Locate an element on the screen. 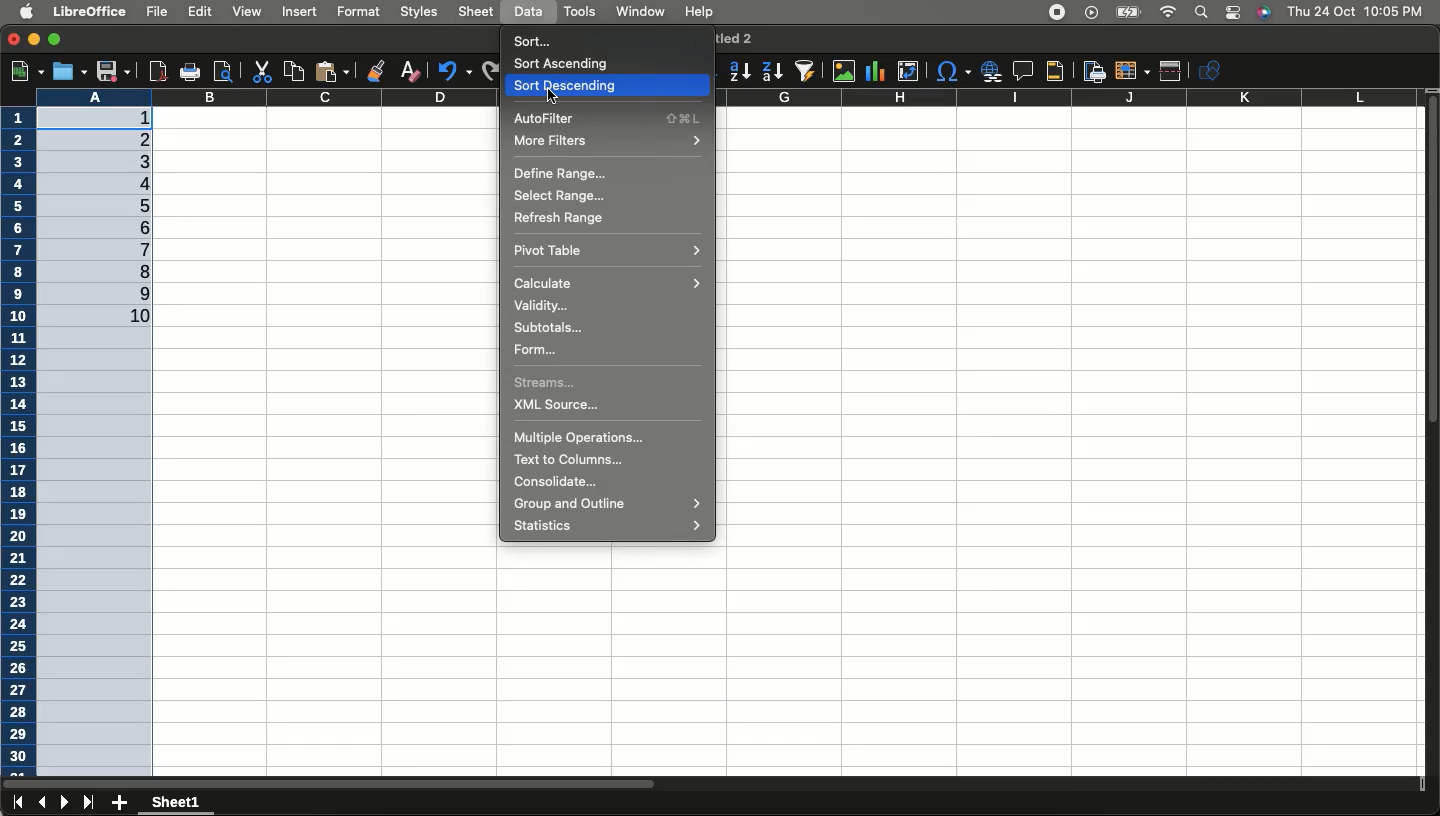 This screenshot has width=1440, height=816. Internet is located at coordinates (1168, 13).